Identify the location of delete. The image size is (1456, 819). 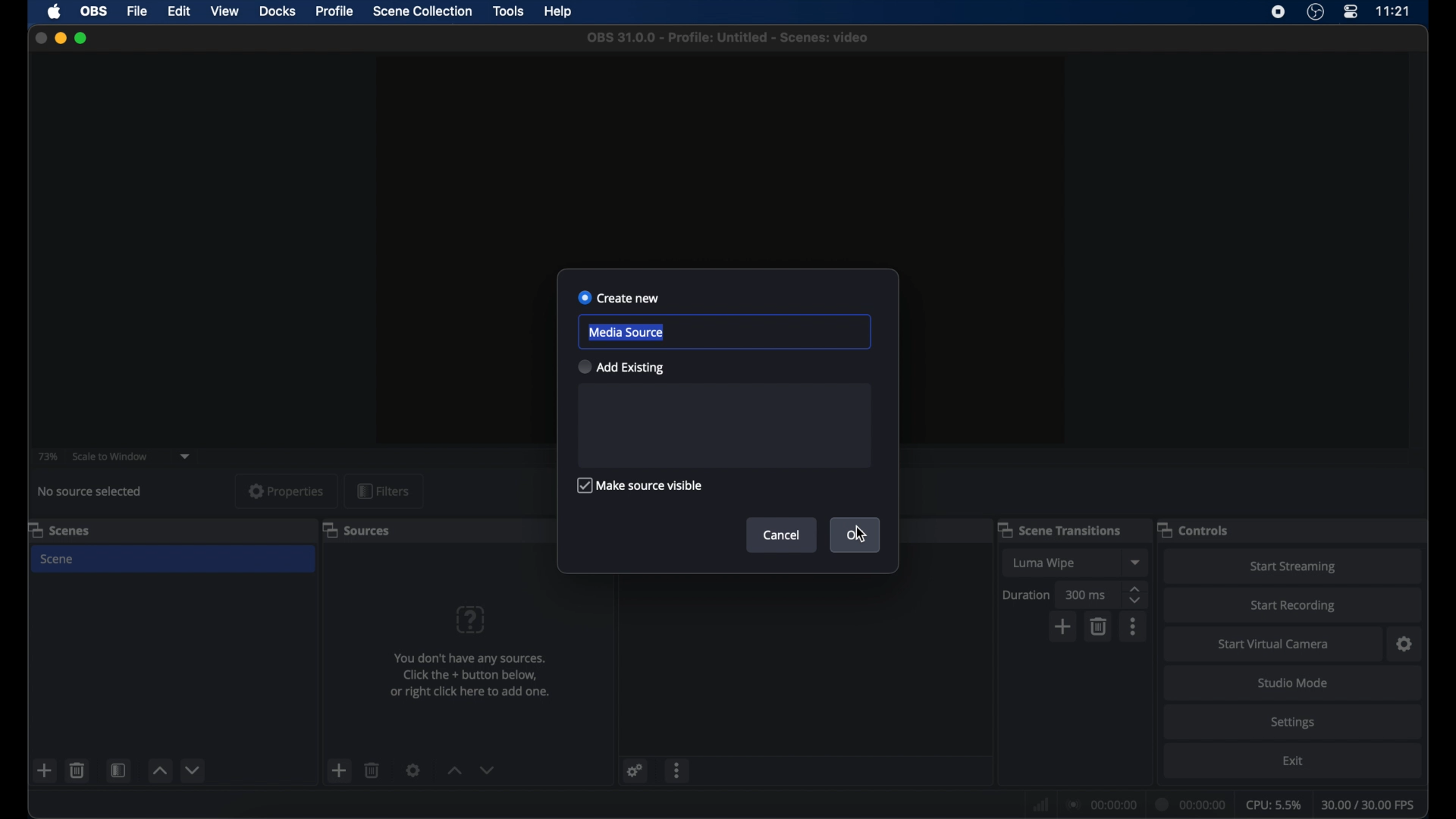
(373, 770).